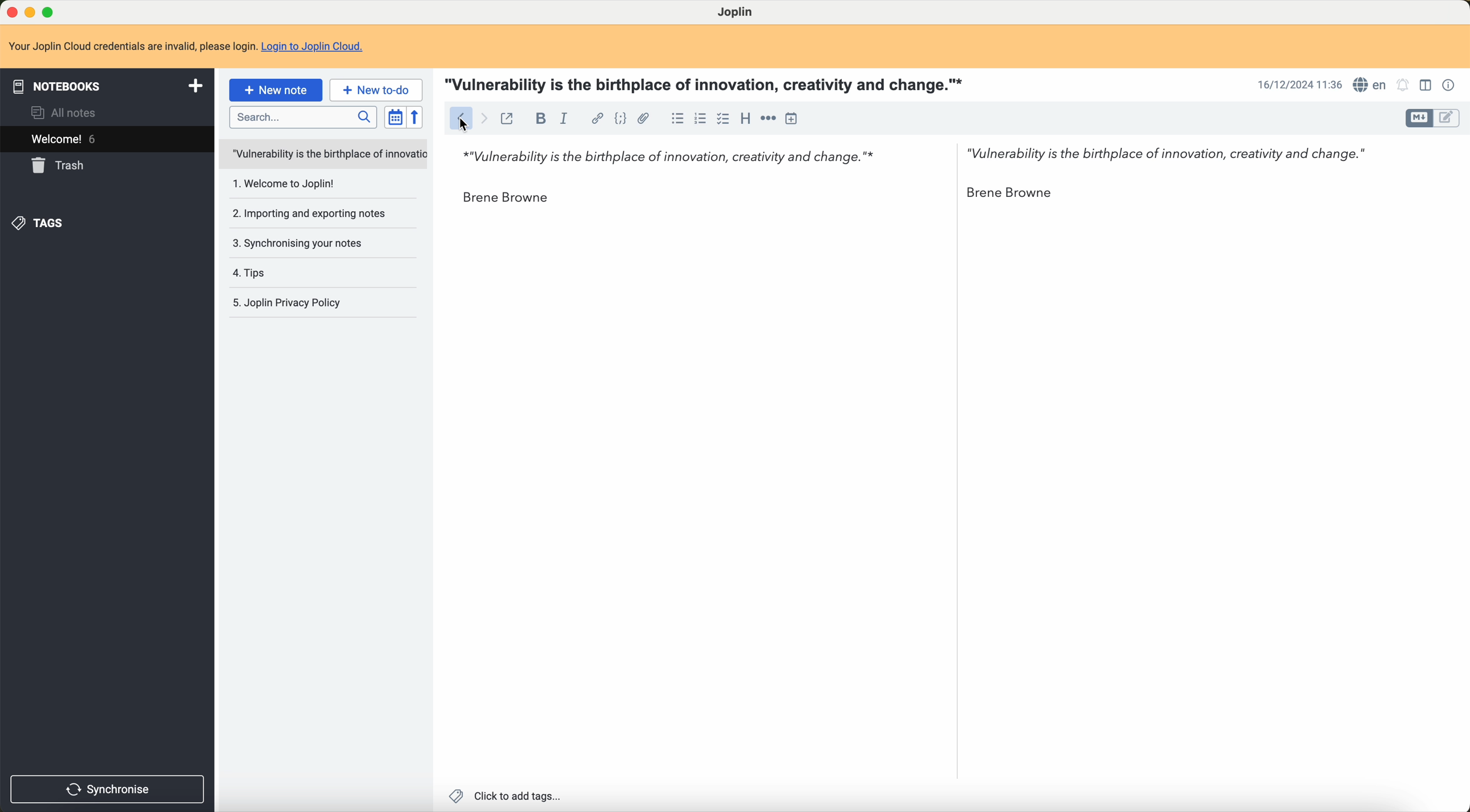 Image resolution: width=1470 pixels, height=812 pixels. Describe the element at coordinates (646, 119) in the screenshot. I see `attach file` at that location.